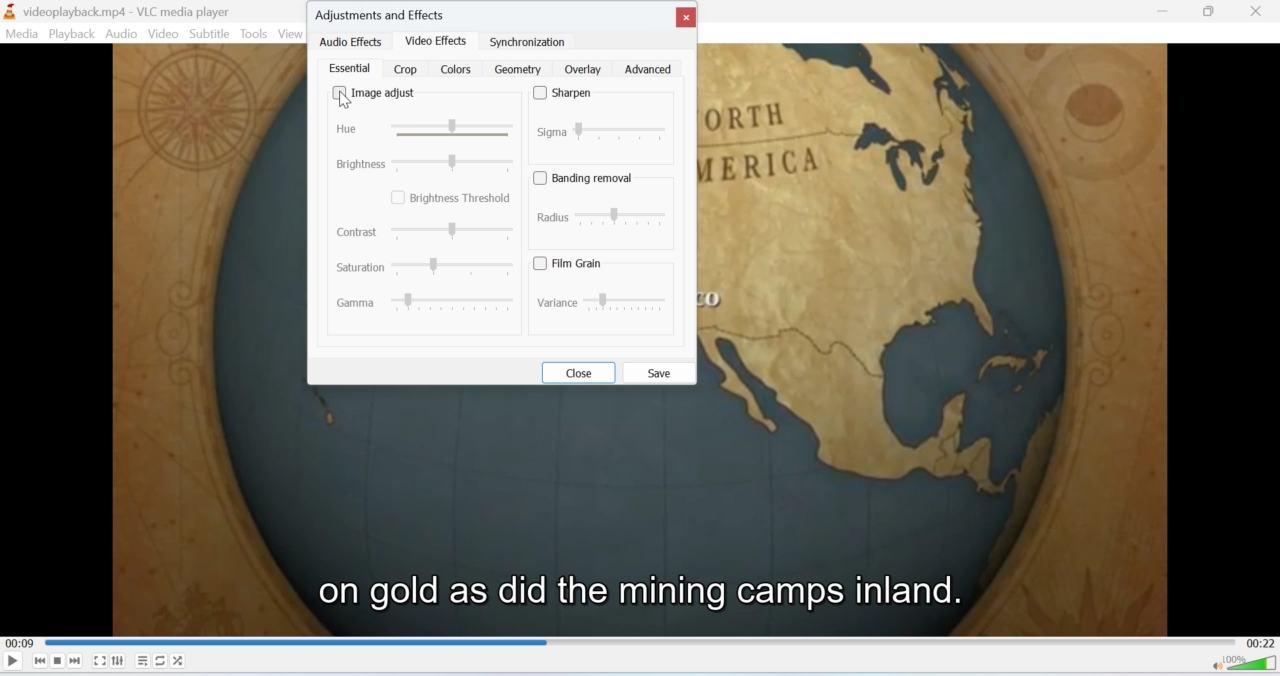 The image size is (1280, 676). I want to click on View, so click(292, 35).